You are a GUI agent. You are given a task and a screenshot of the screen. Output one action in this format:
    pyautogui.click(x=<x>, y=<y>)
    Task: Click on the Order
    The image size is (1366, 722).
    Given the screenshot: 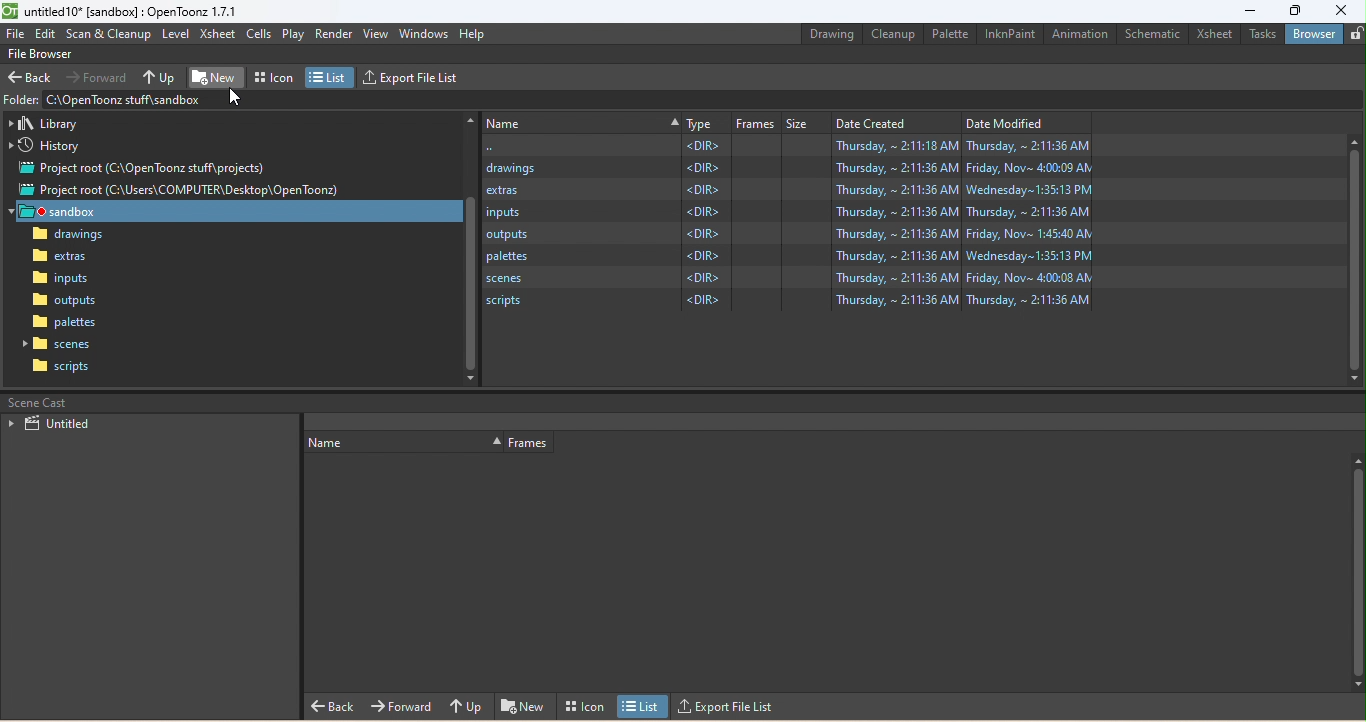 What is the action you would take?
    pyautogui.click(x=582, y=121)
    